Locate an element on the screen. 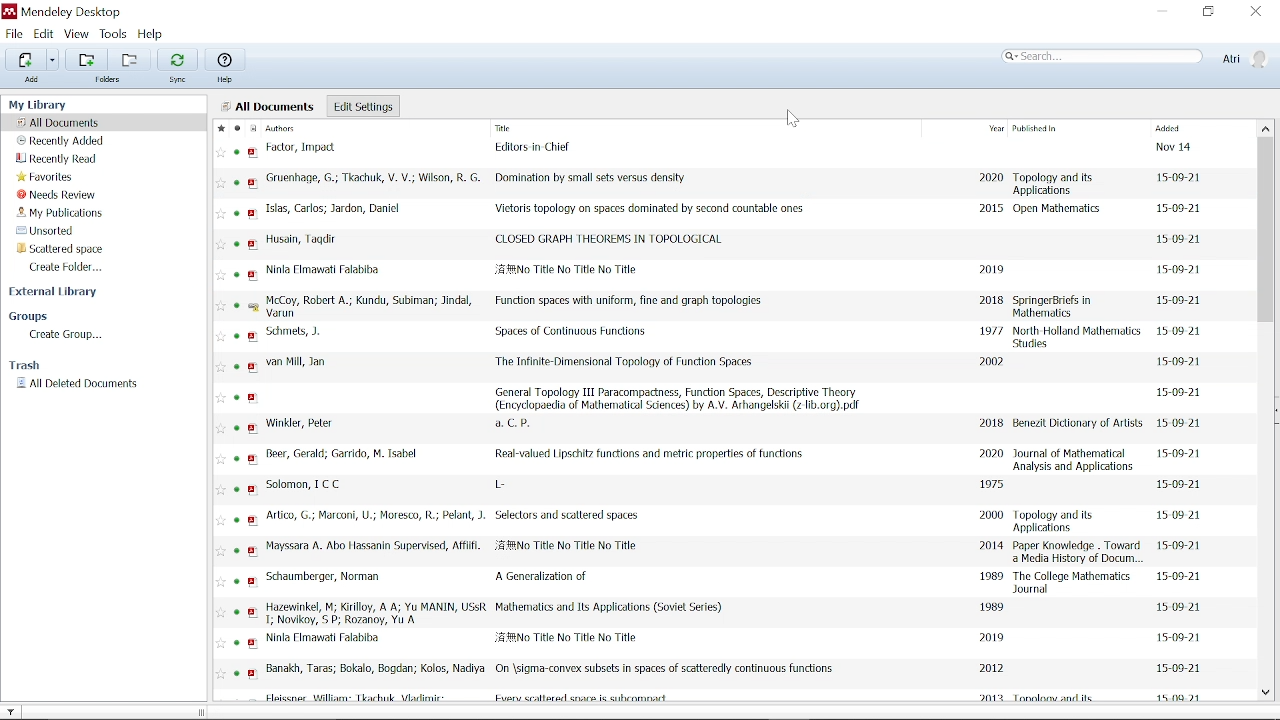 The image size is (1280, 720). Help is located at coordinates (228, 60).